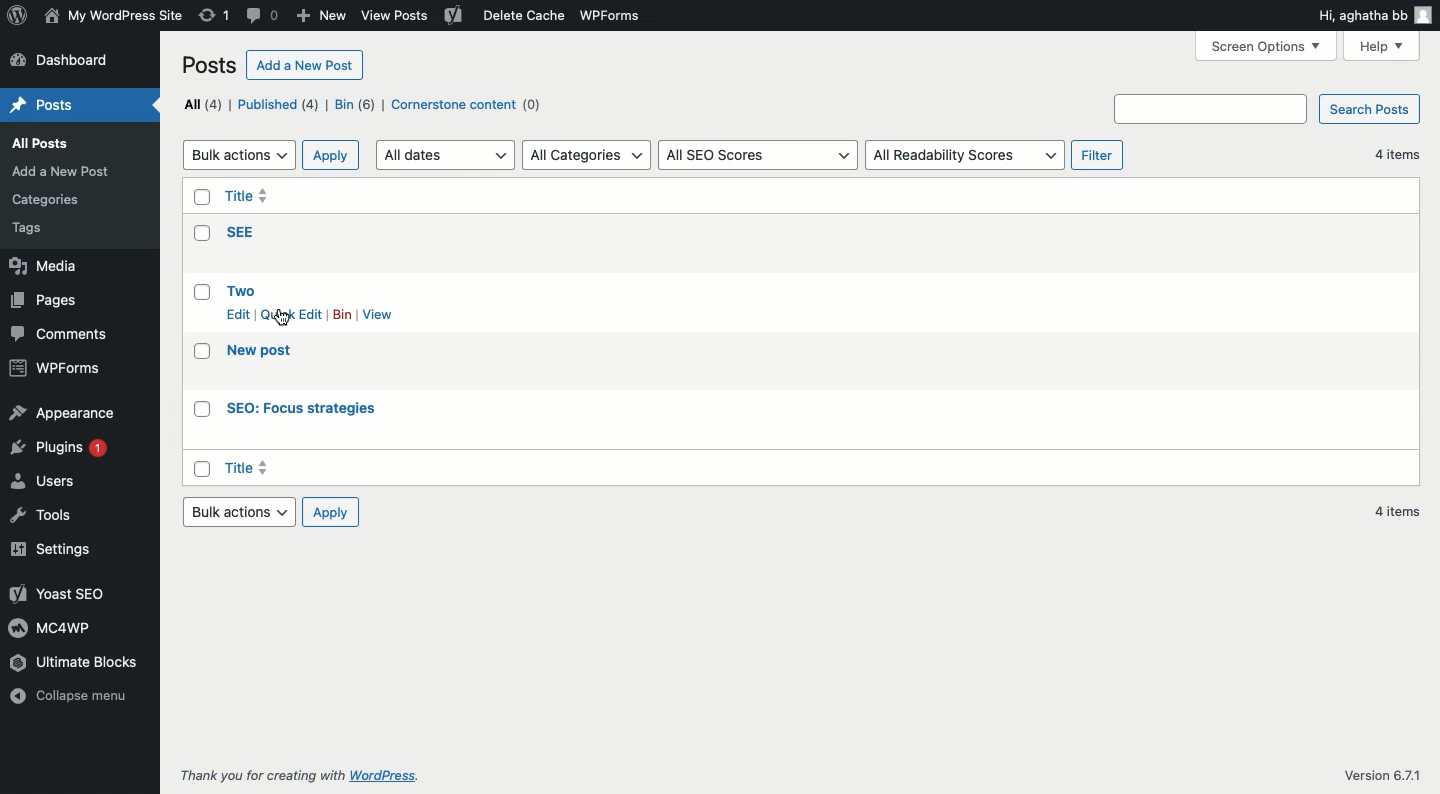 The width and height of the screenshot is (1440, 794). I want to click on Two, so click(243, 289).